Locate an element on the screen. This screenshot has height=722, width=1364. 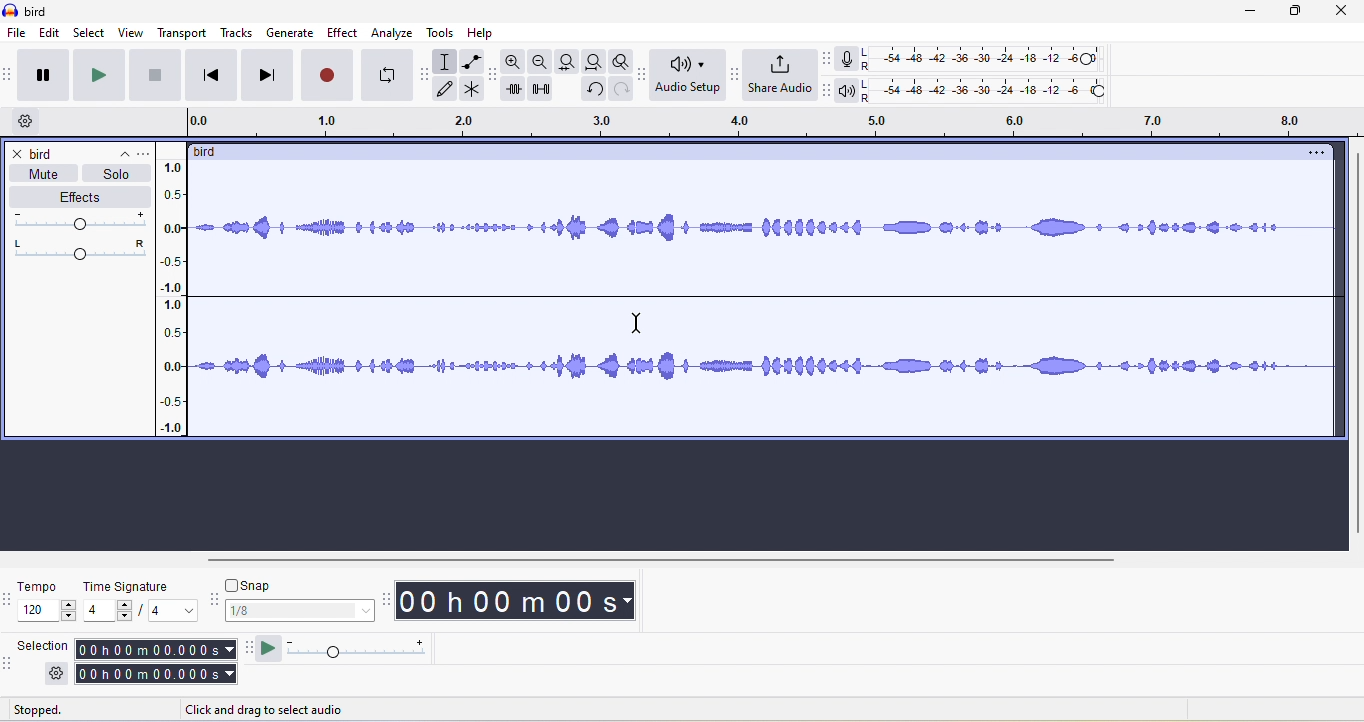
playback level is located at coordinates (991, 92).